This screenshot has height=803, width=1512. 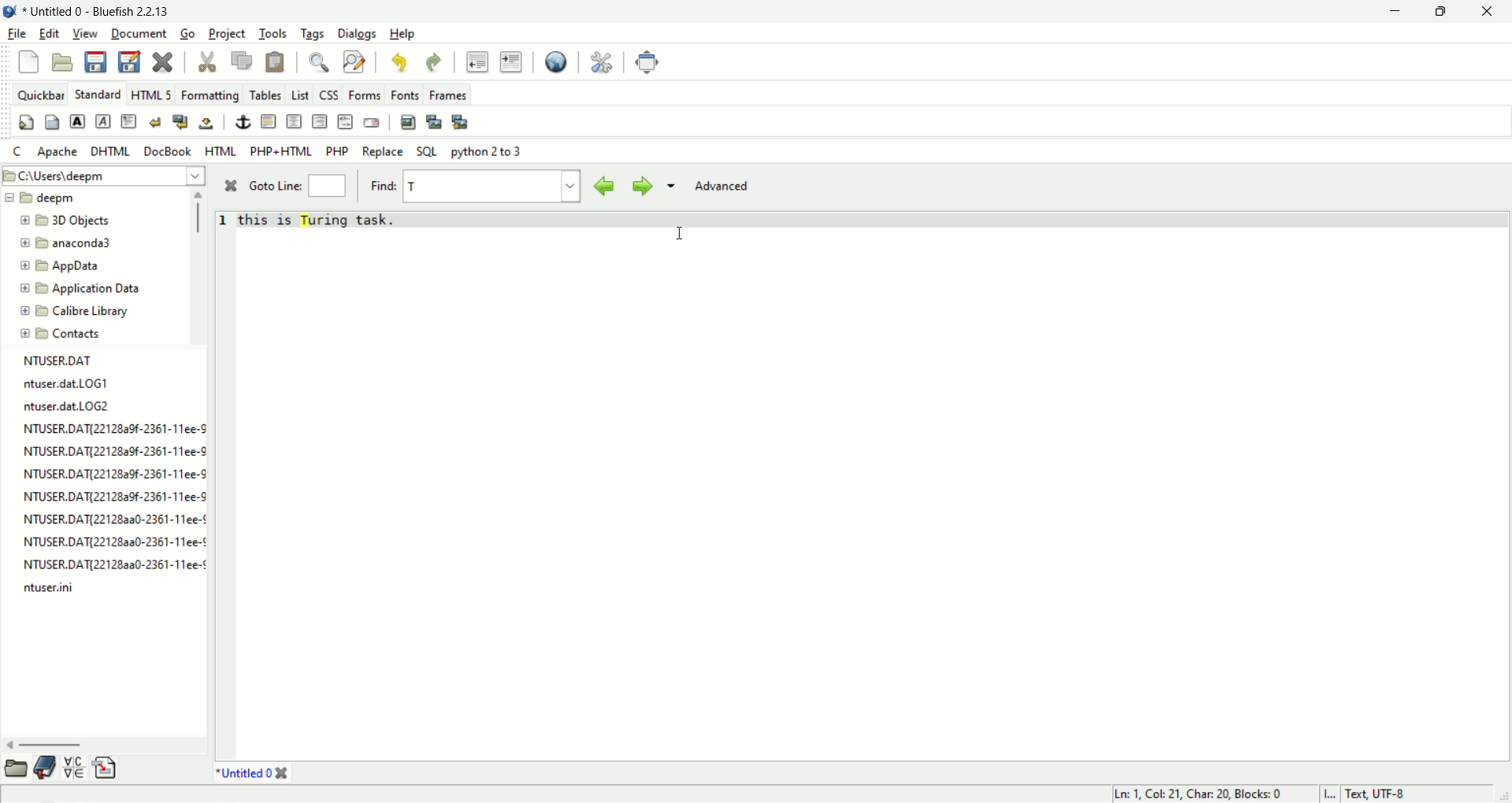 I want to click on strong, so click(x=78, y=121).